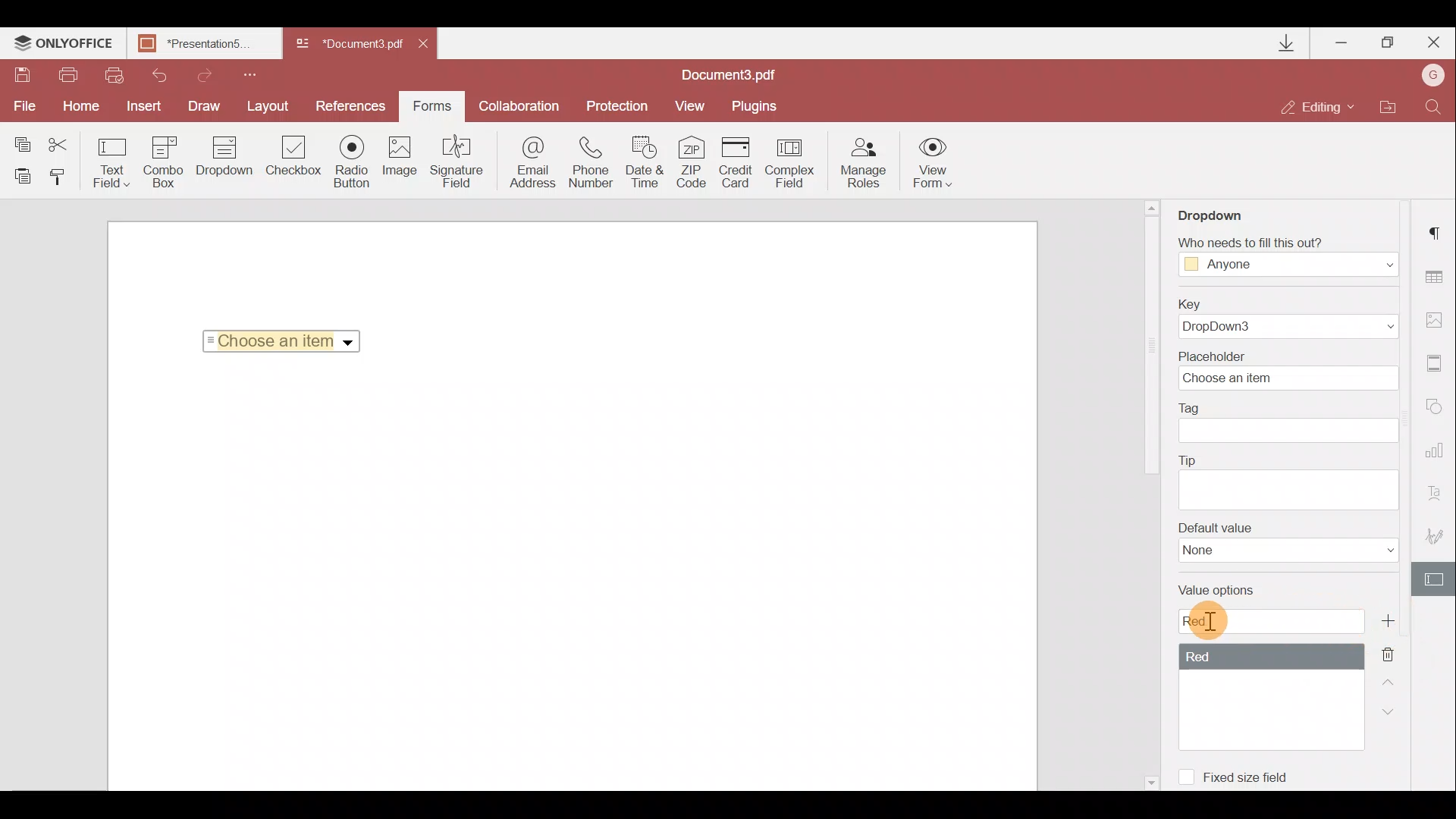  What do you see at coordinates (1153, 207) in the screenshot?
I see `Scroll up` at bounding box center [1153, 207].